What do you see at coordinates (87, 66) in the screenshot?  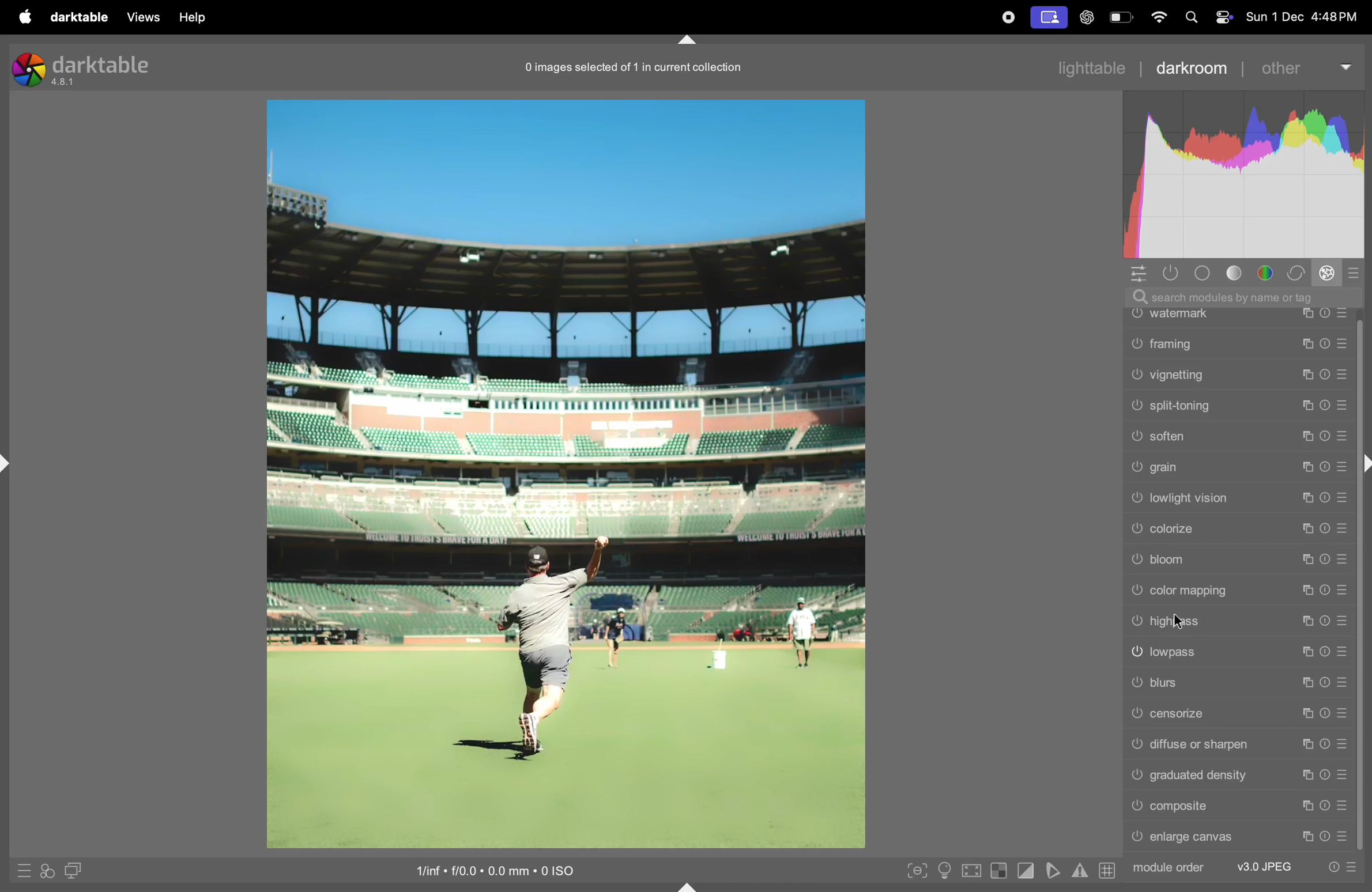 I see `darktable version` at bounding box center [87, 66].